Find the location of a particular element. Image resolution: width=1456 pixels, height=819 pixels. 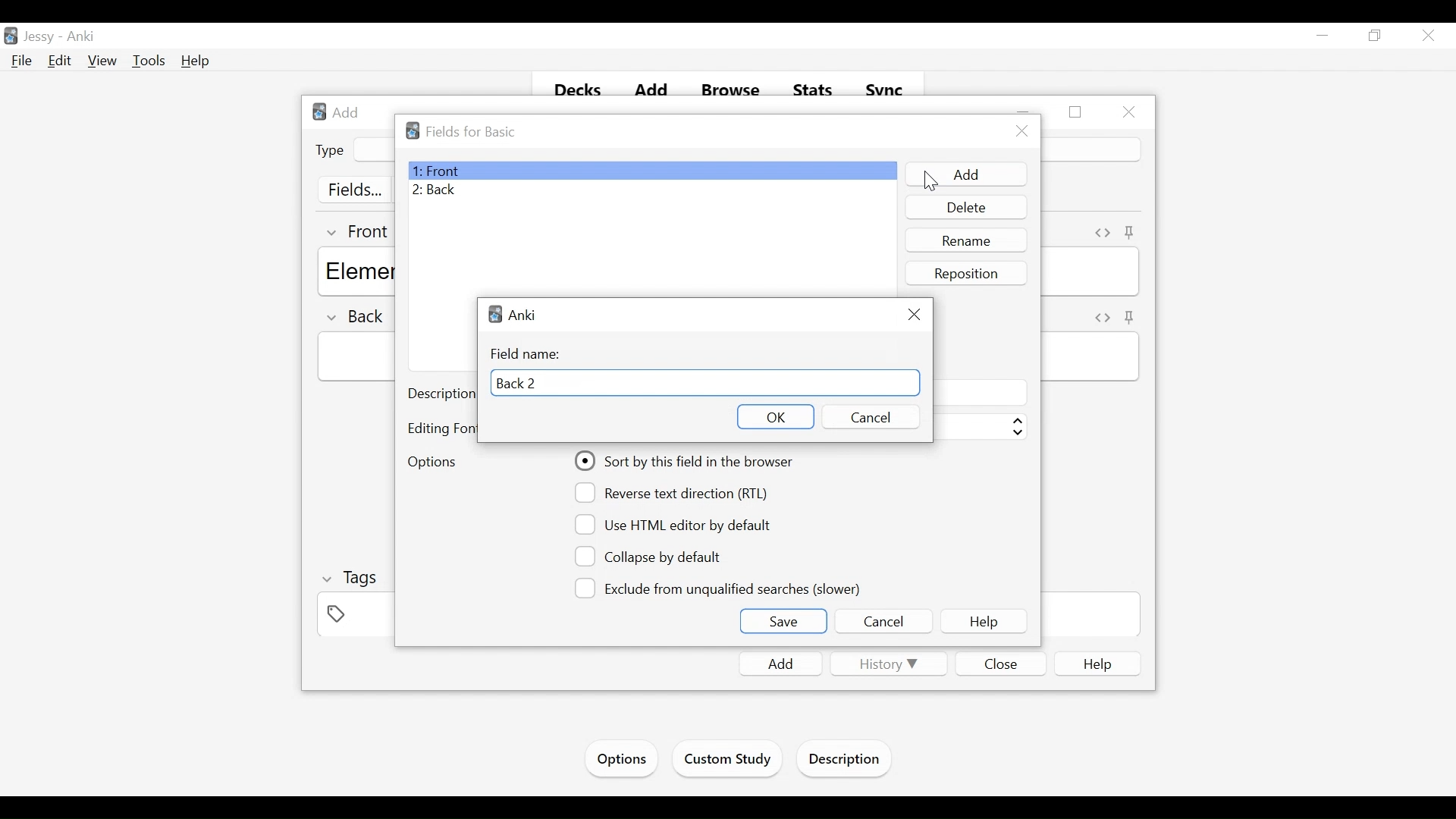

Stats is located at coordinates (814, 90).